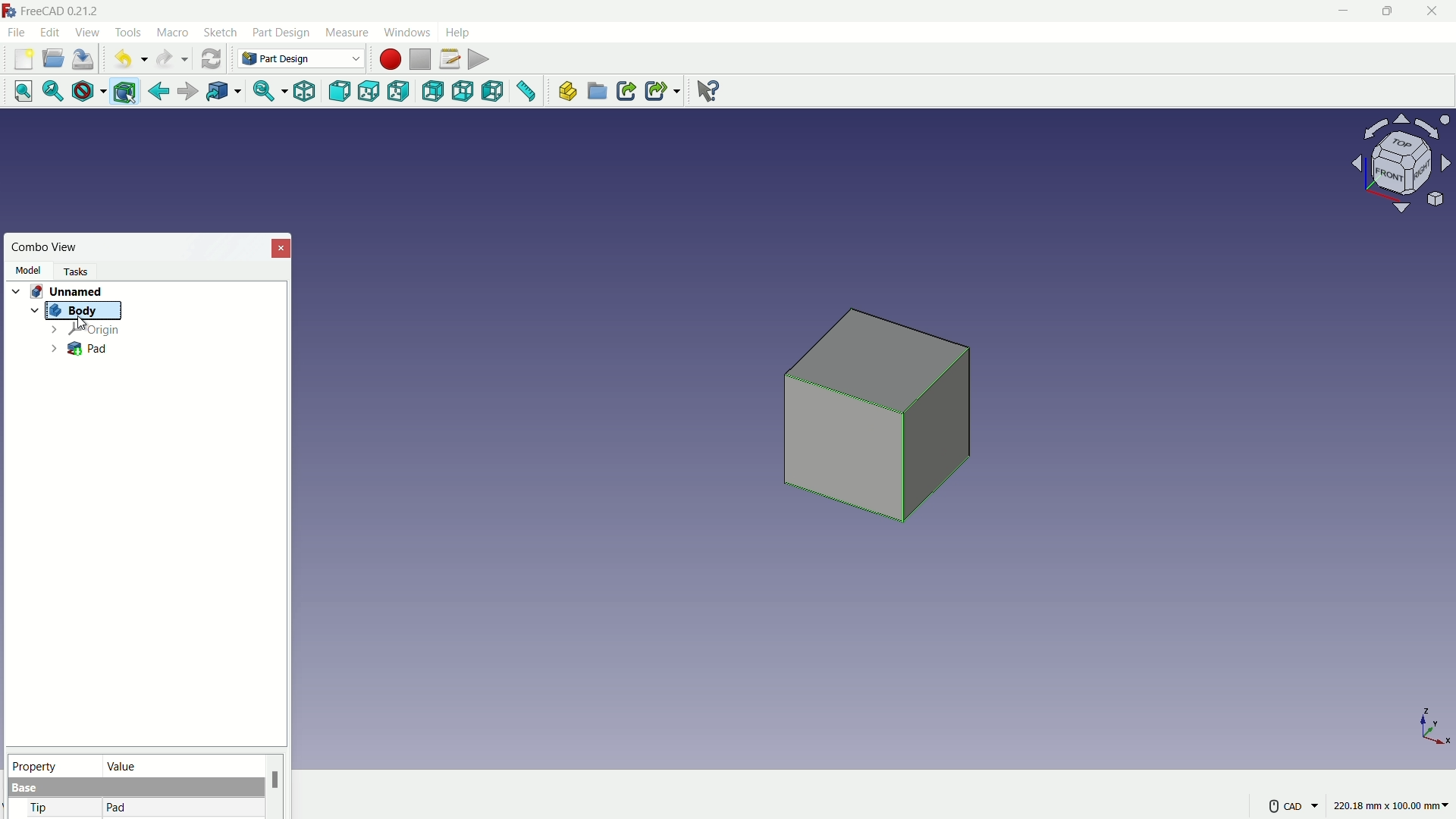 The image size is (1456, 819). I want to click on close app, so click(1433, 11).